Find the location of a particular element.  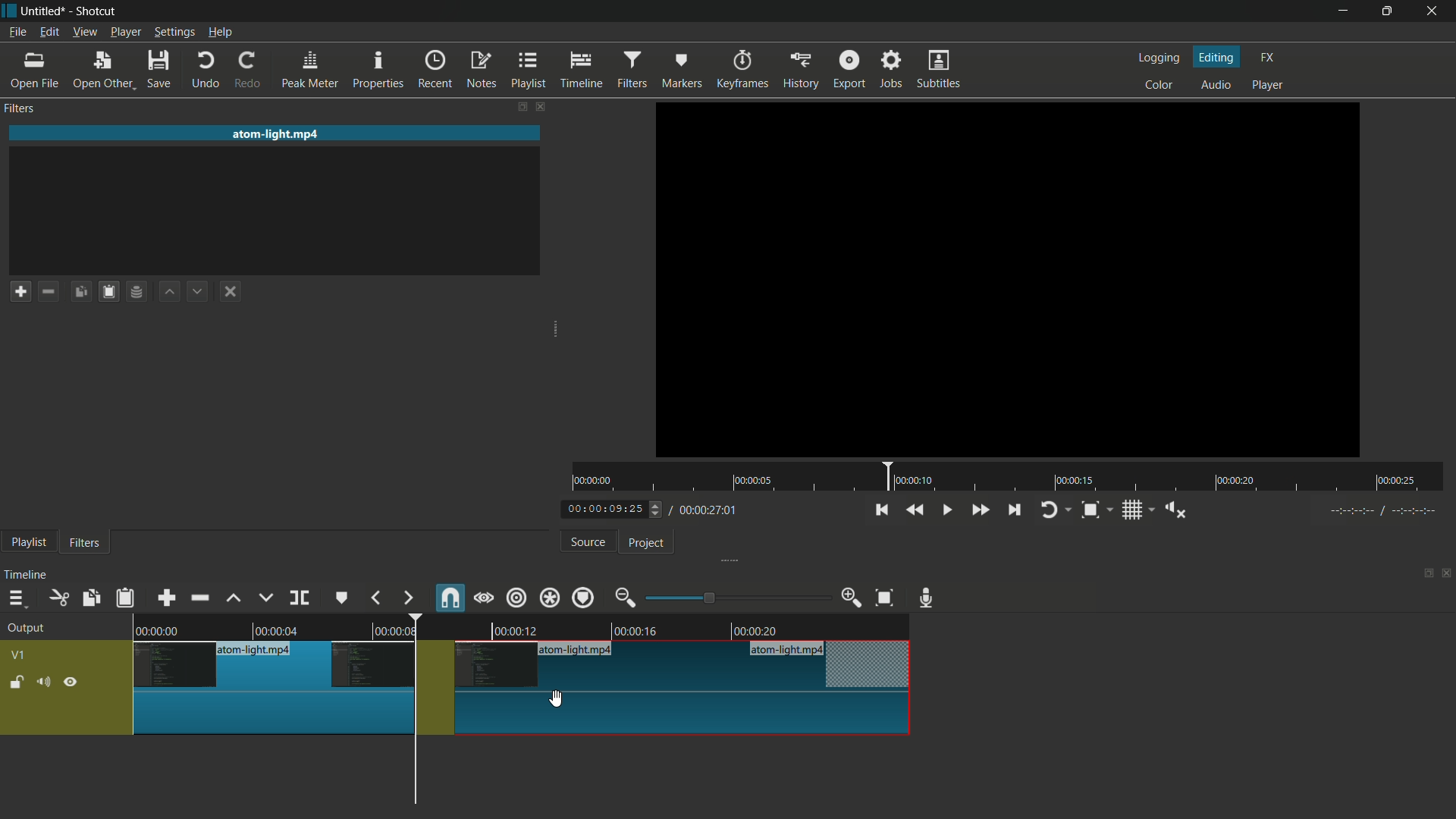

app name is located at coordinates (97, 11).